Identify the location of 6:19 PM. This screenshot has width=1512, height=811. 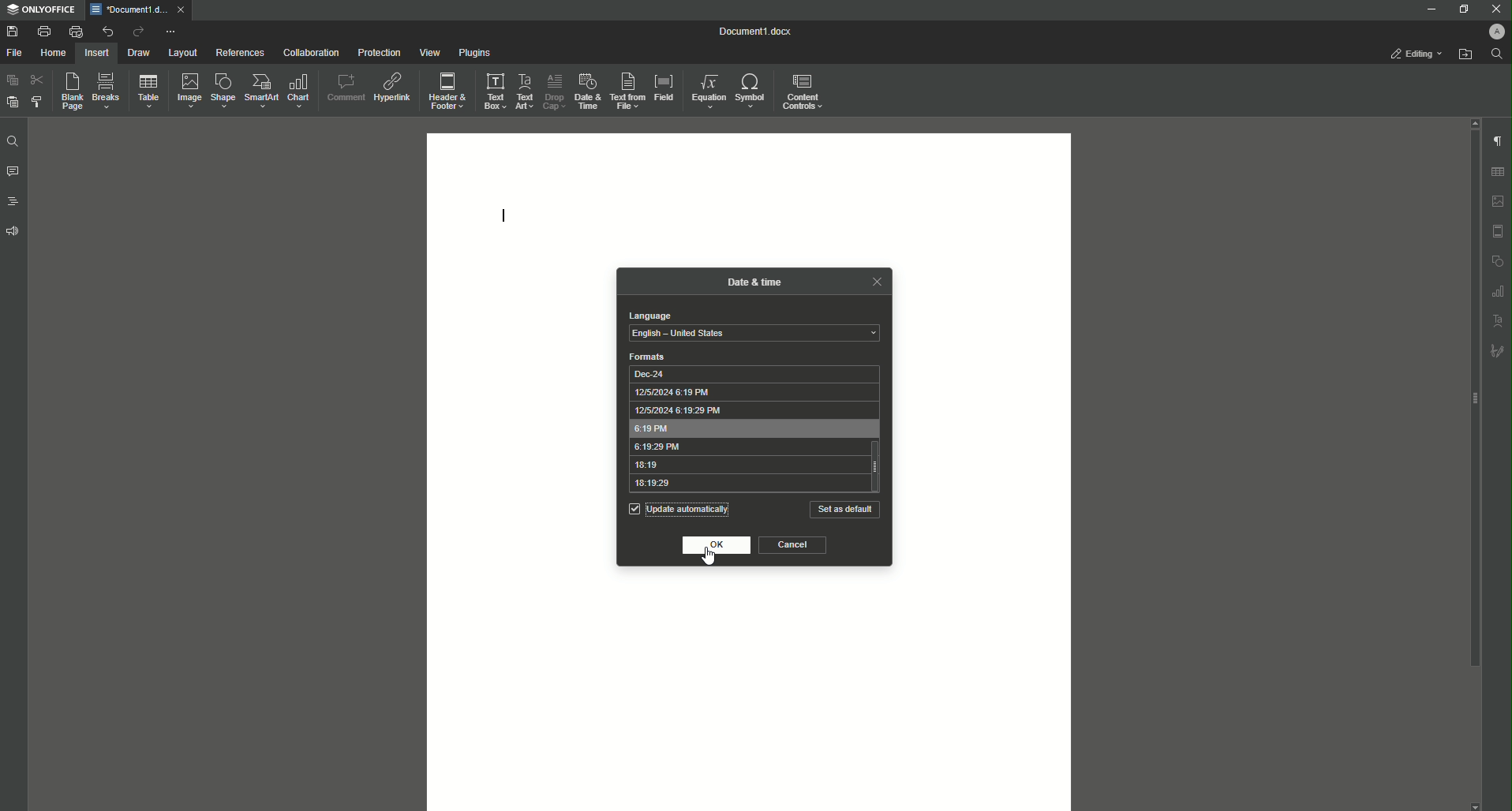
(747, 428).